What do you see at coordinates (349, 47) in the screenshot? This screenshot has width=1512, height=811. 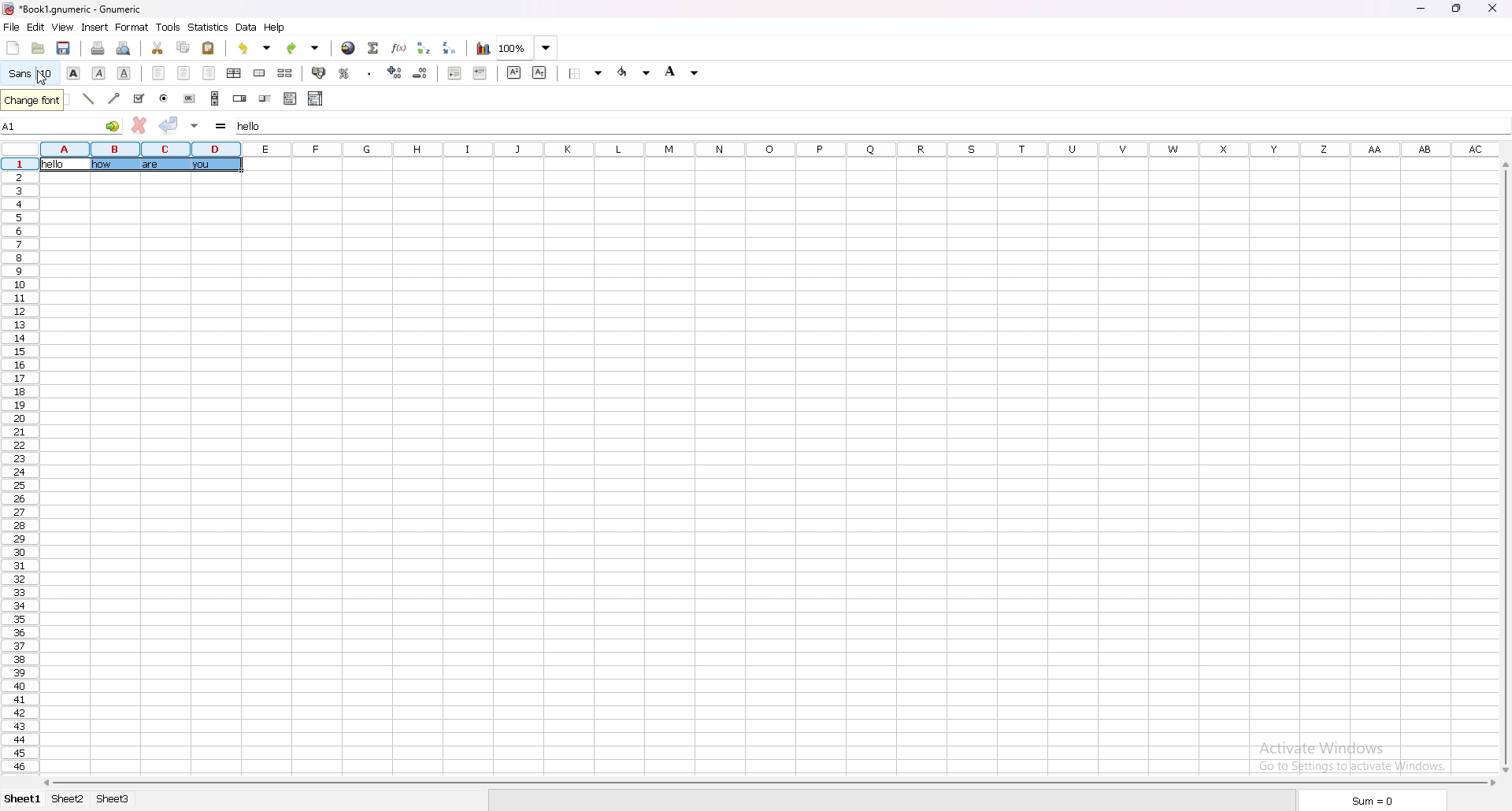 I see `hyperlink` at bounding box center [349, 47].